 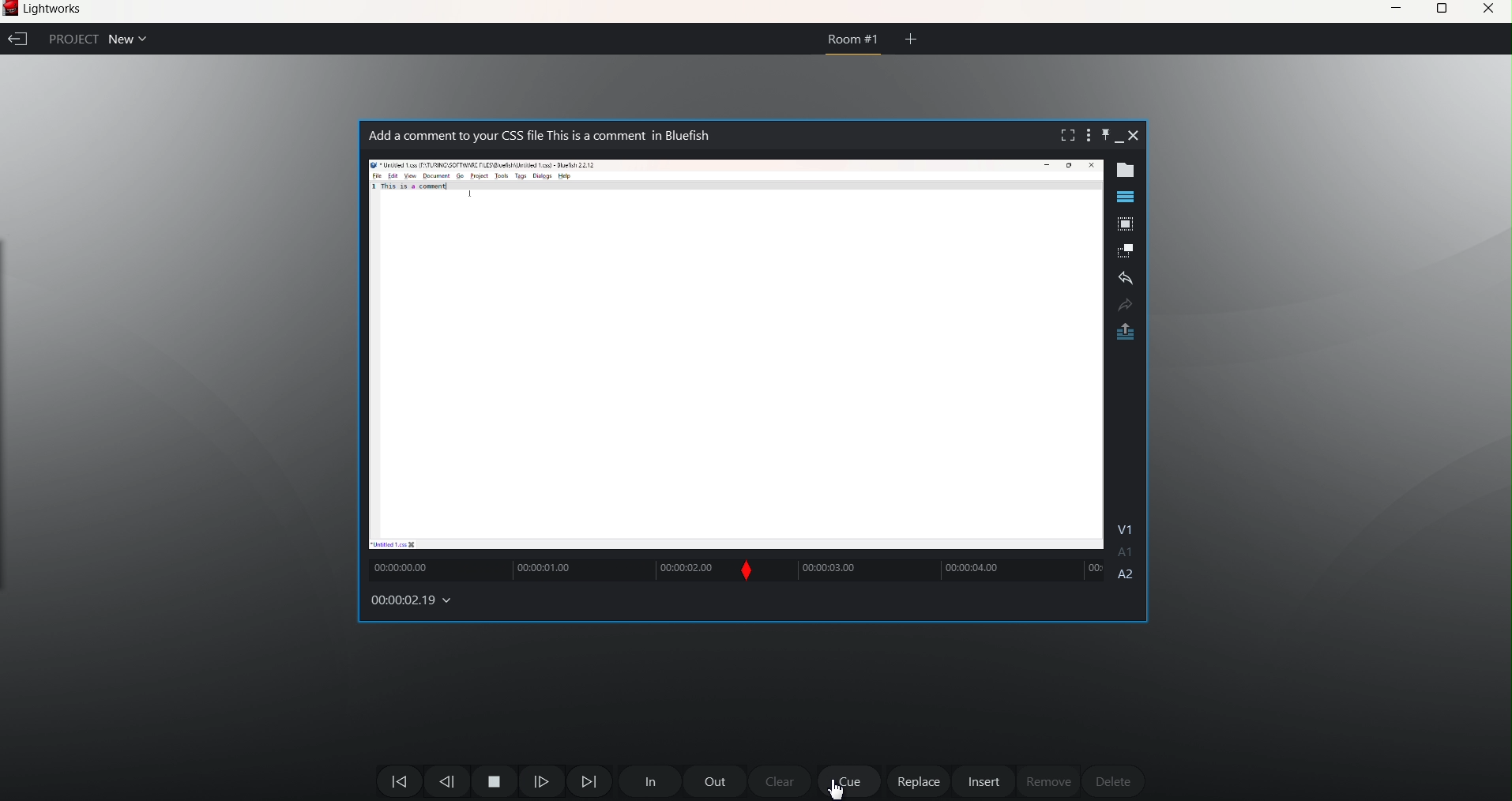 What do you see at coordinates (1126, 280) in the screenshot?
I see `undo` at bounding box center [1126, 280].